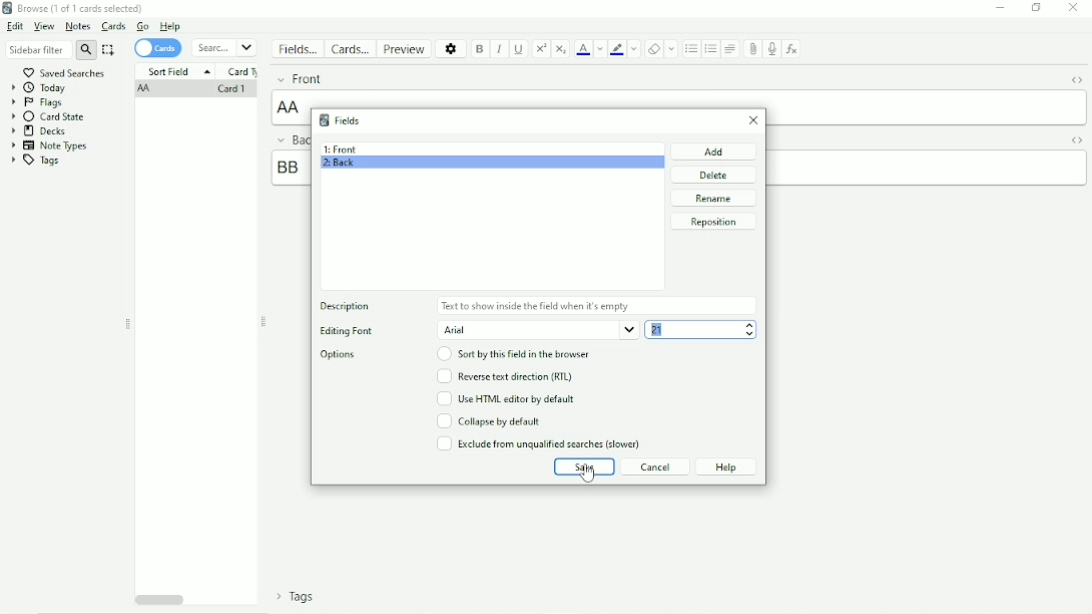  Describe the element at coordinates (480, 50) in the screenshot. I see `Bold` at that location.